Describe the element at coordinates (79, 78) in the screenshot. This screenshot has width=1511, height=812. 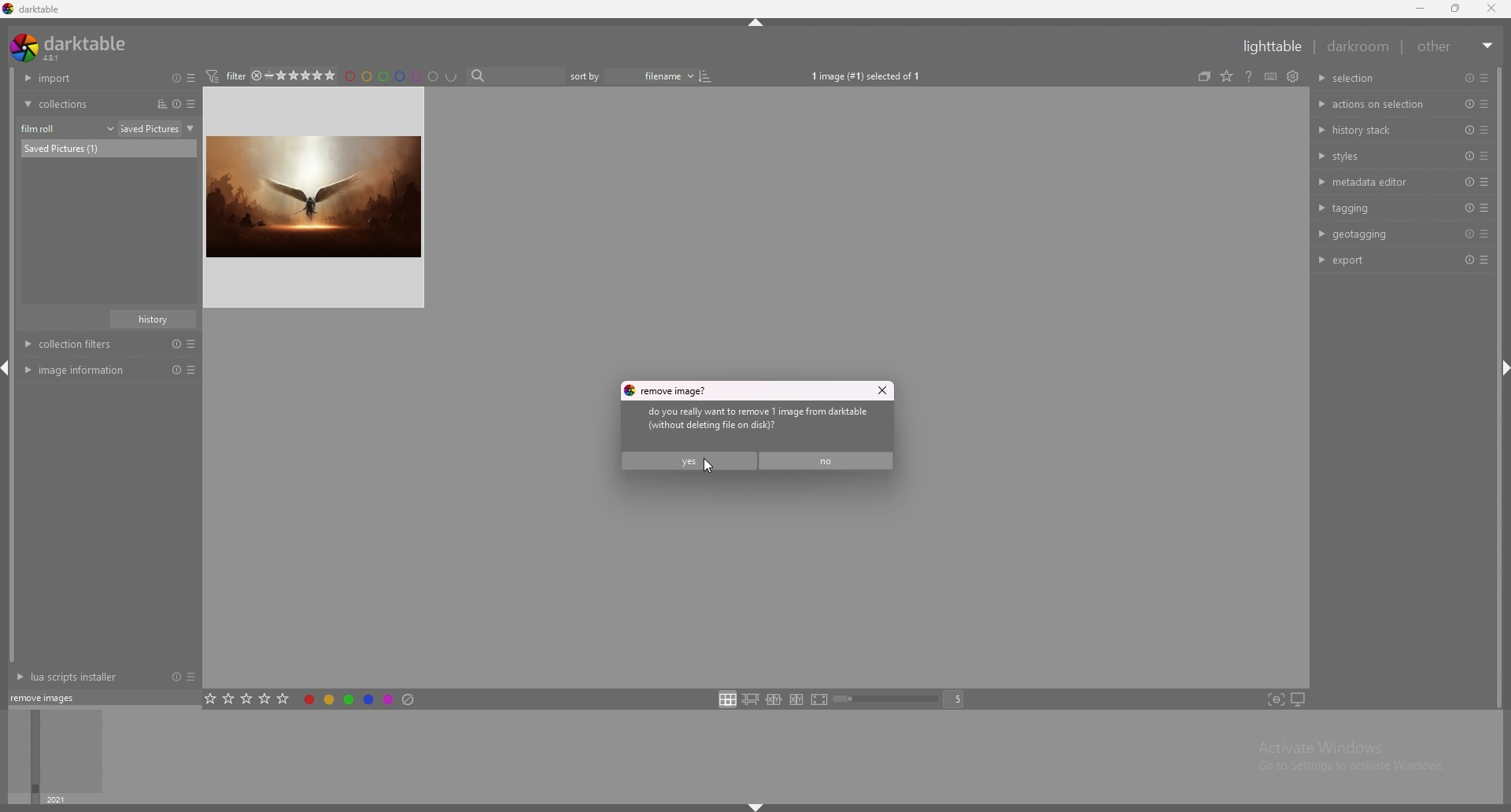
I see `import` at that location.